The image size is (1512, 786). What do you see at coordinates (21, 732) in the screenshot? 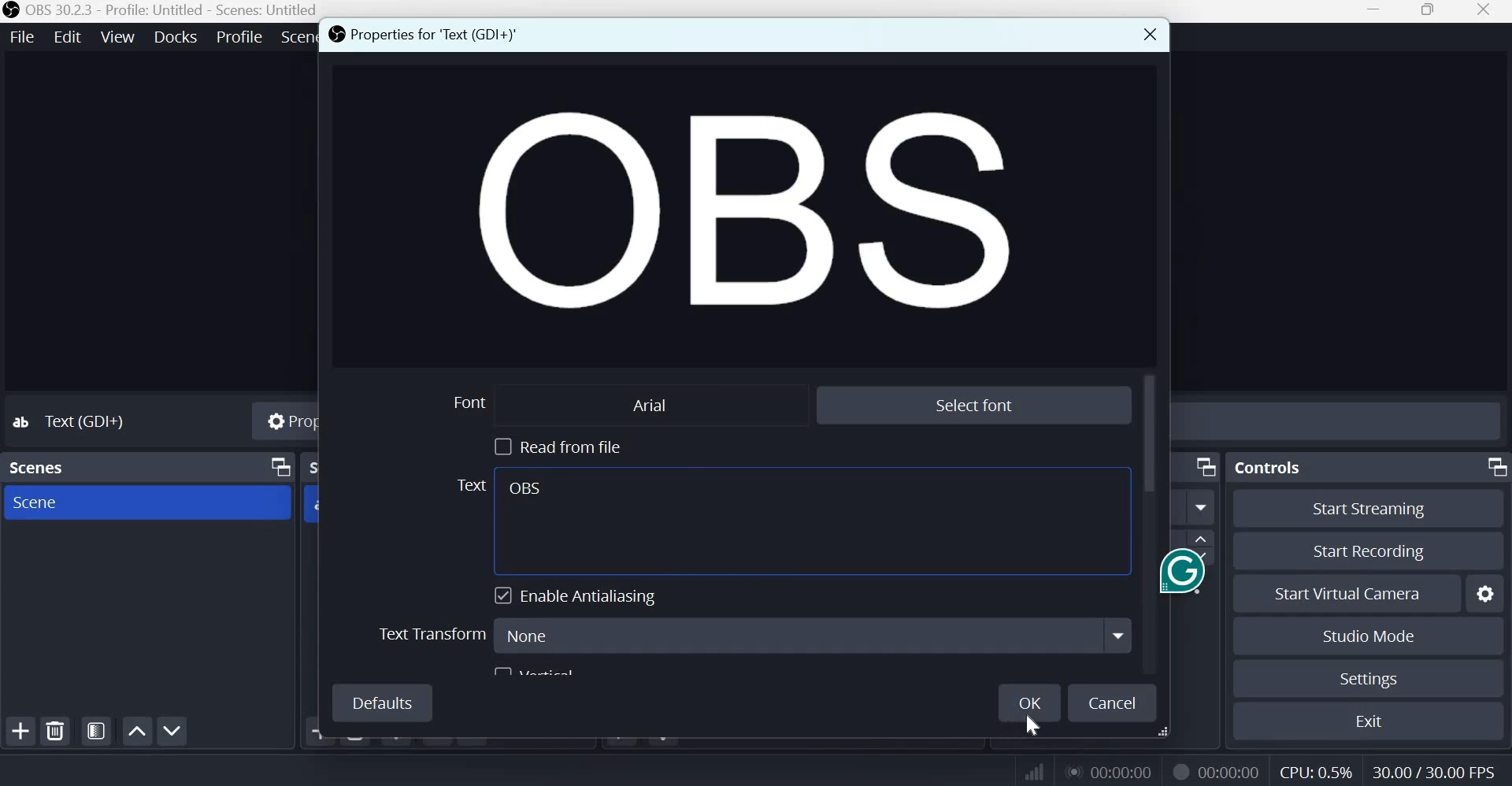
I see `Add scene` at bounding box center [21, 732].